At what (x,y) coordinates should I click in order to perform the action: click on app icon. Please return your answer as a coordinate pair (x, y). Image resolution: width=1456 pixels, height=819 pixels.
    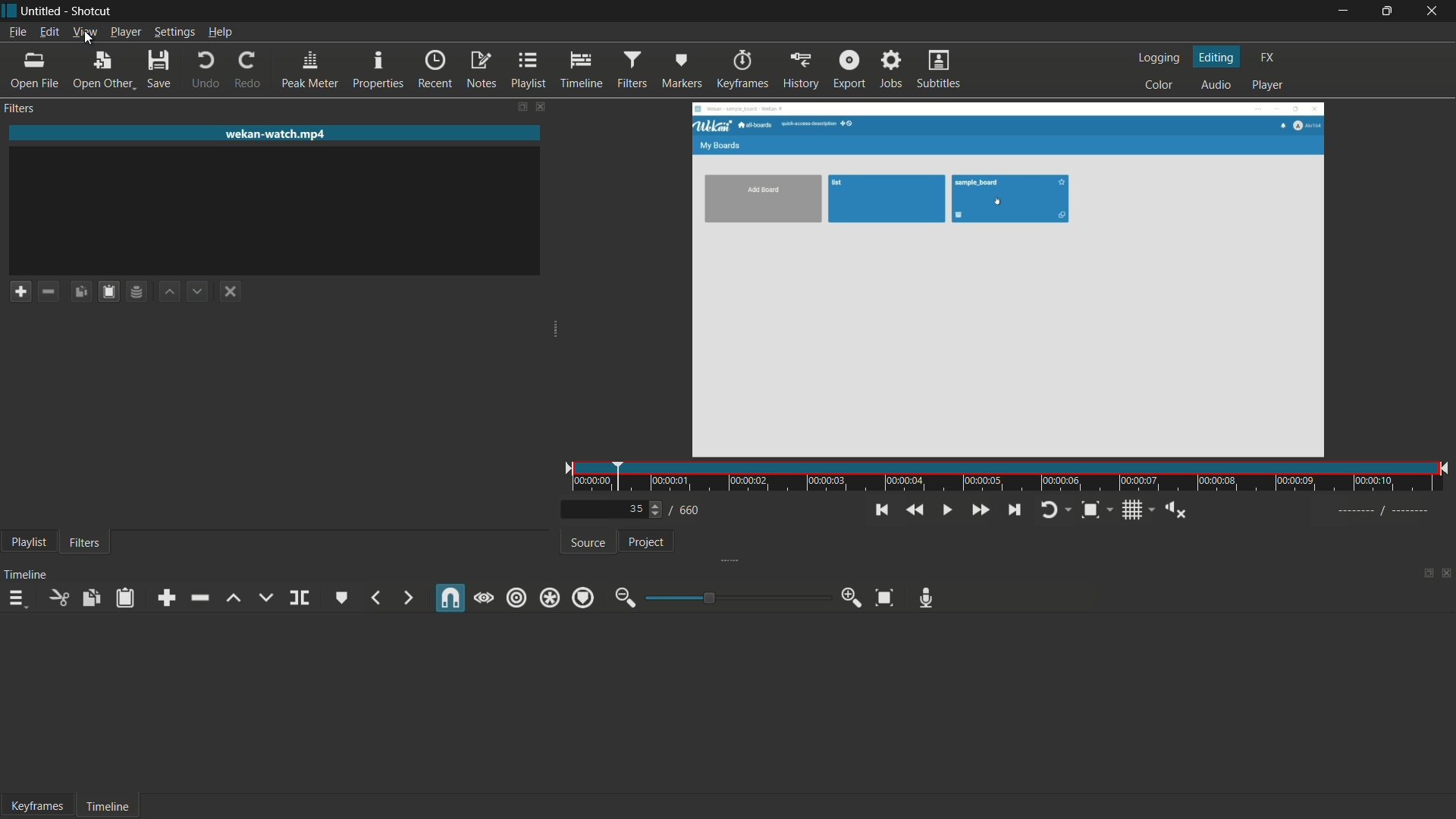
    Looking at the image, I should click on (9, 10).